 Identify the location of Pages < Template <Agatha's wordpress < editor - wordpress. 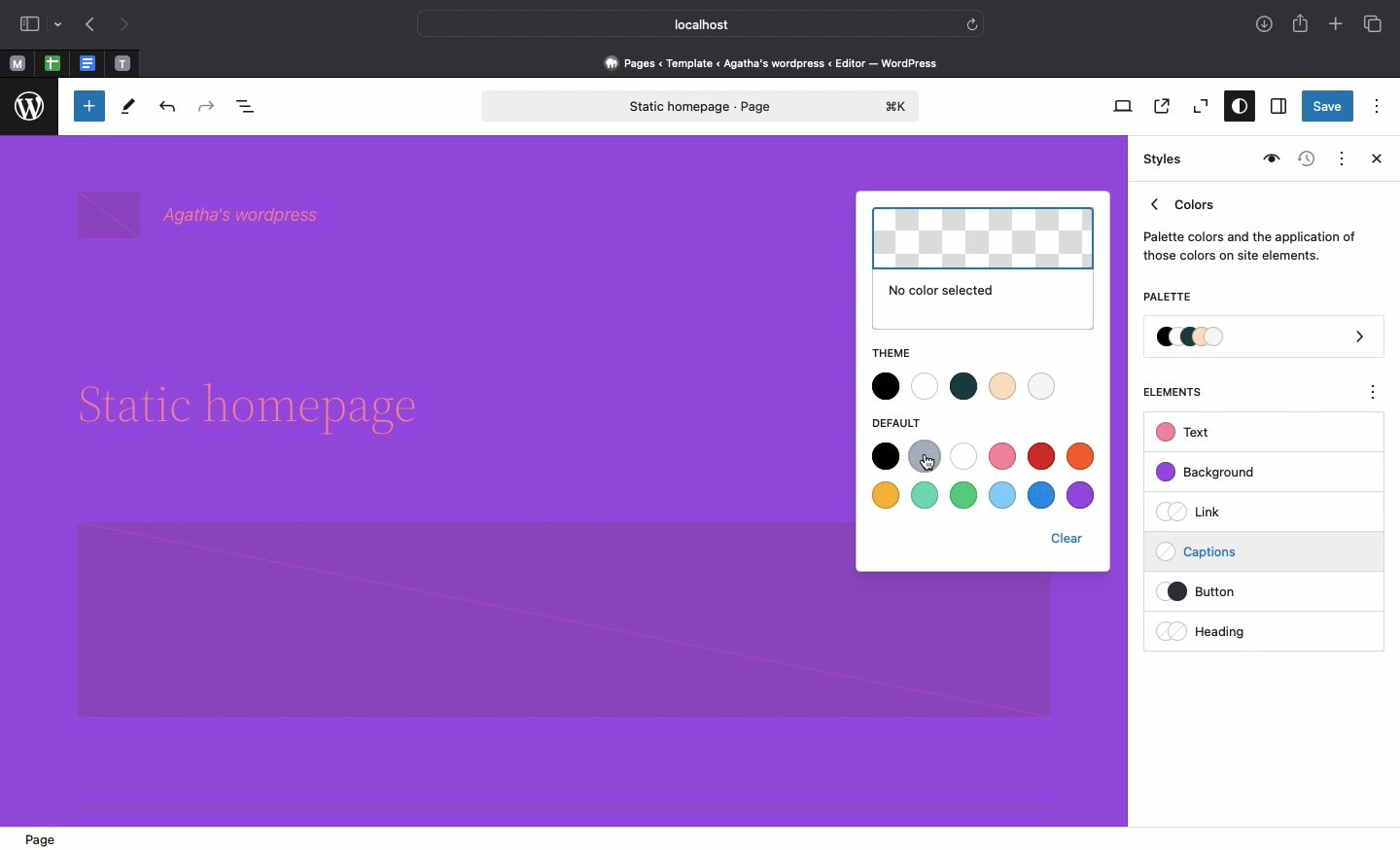
(778, 62).